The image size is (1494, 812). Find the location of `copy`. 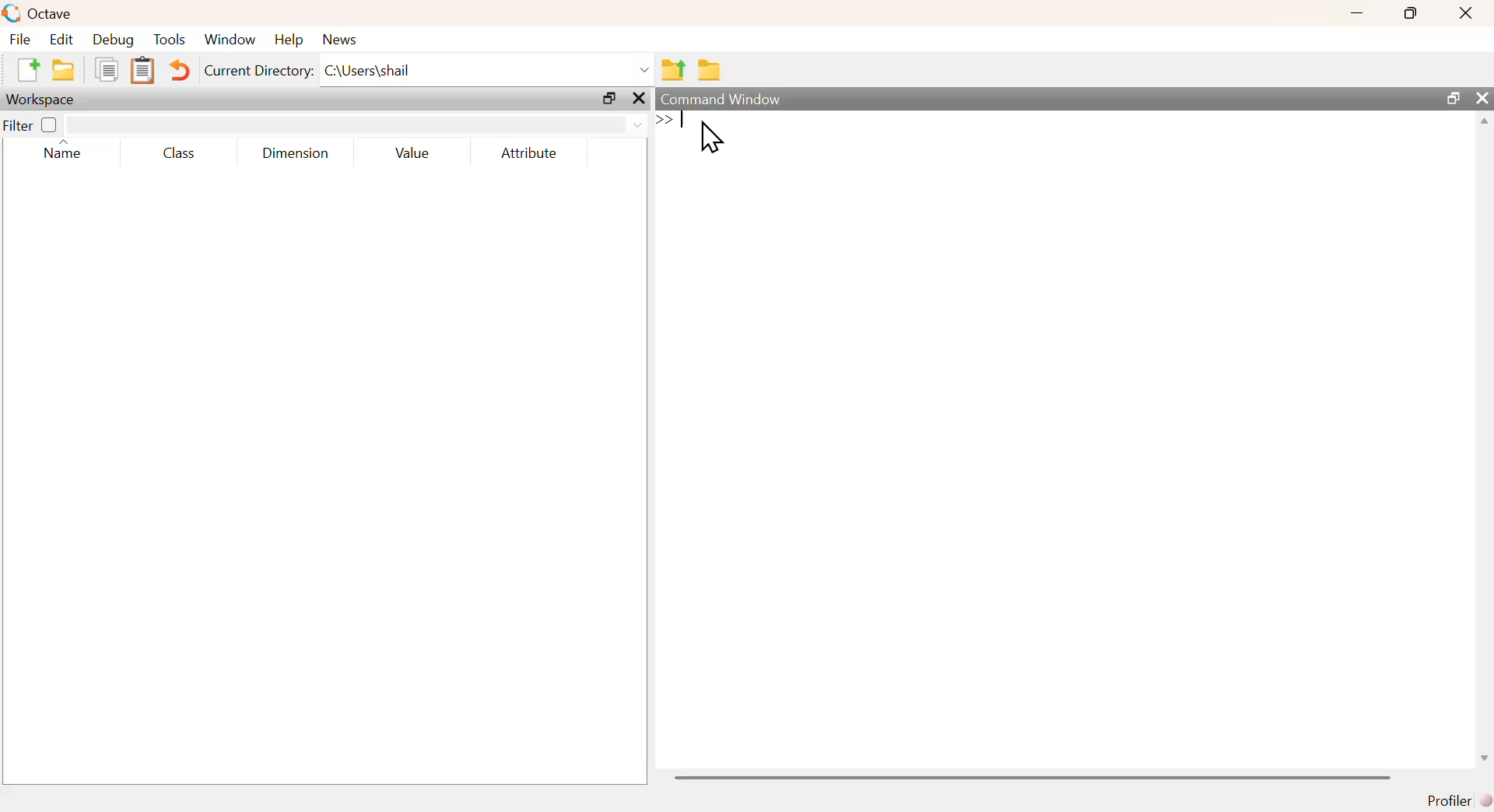

copy is located at coordinates (108, 71).